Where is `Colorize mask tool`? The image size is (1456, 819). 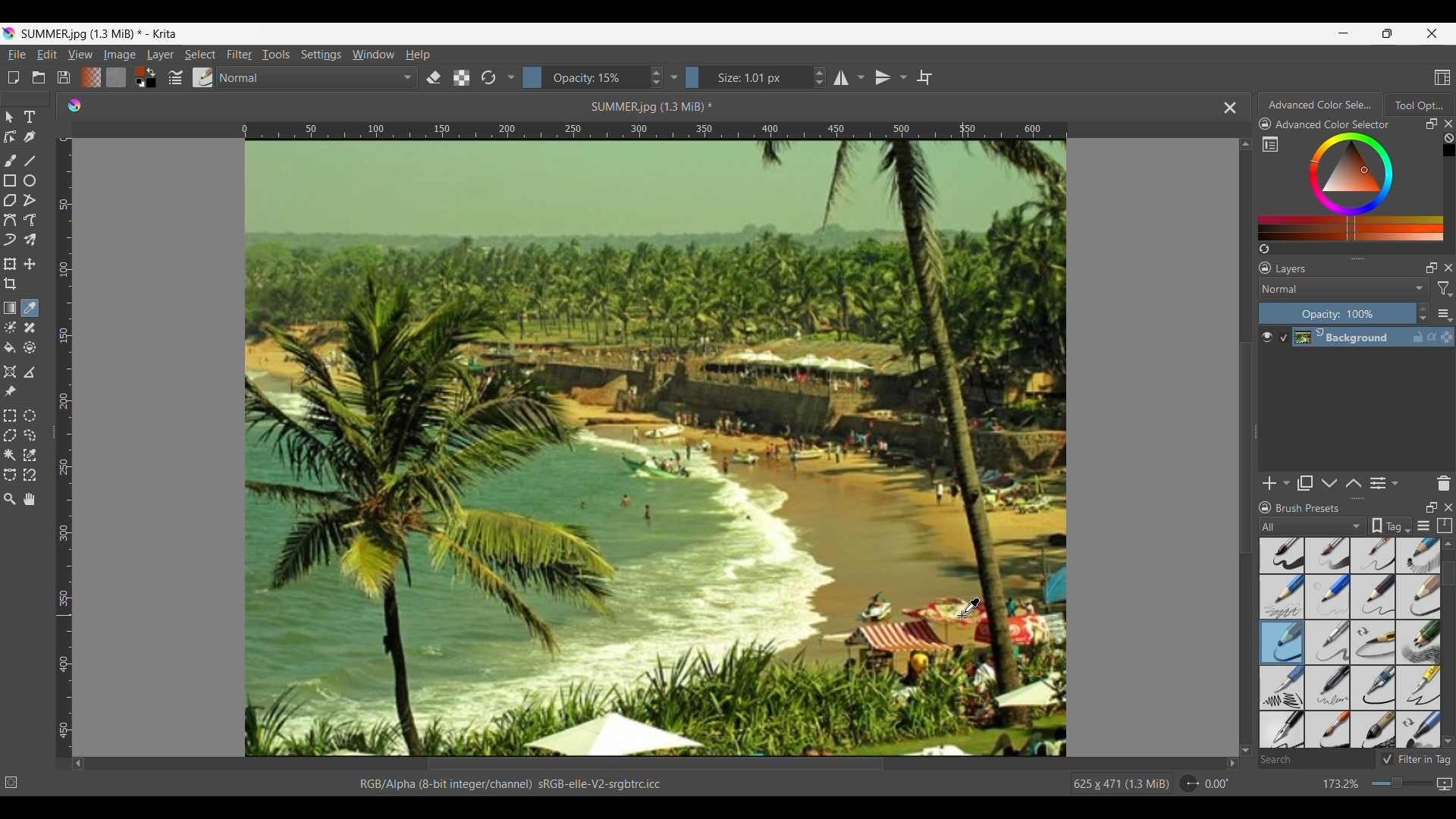 Colorize mask tool is located at coordinates (11, 328).